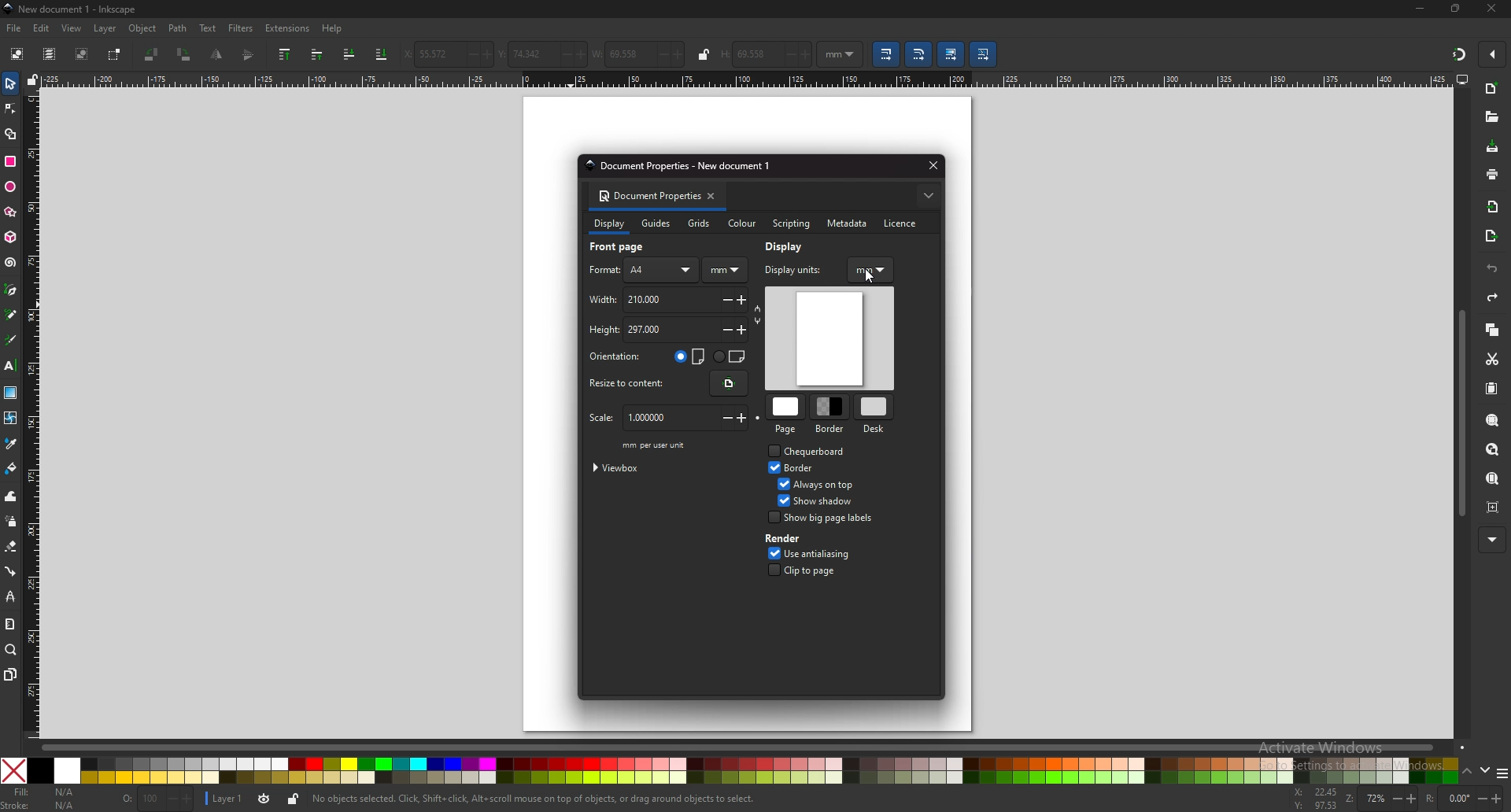  What do you see at coordinates (700, 223) in the screenshot?
I see `grids` at bounding box center [700, 223].